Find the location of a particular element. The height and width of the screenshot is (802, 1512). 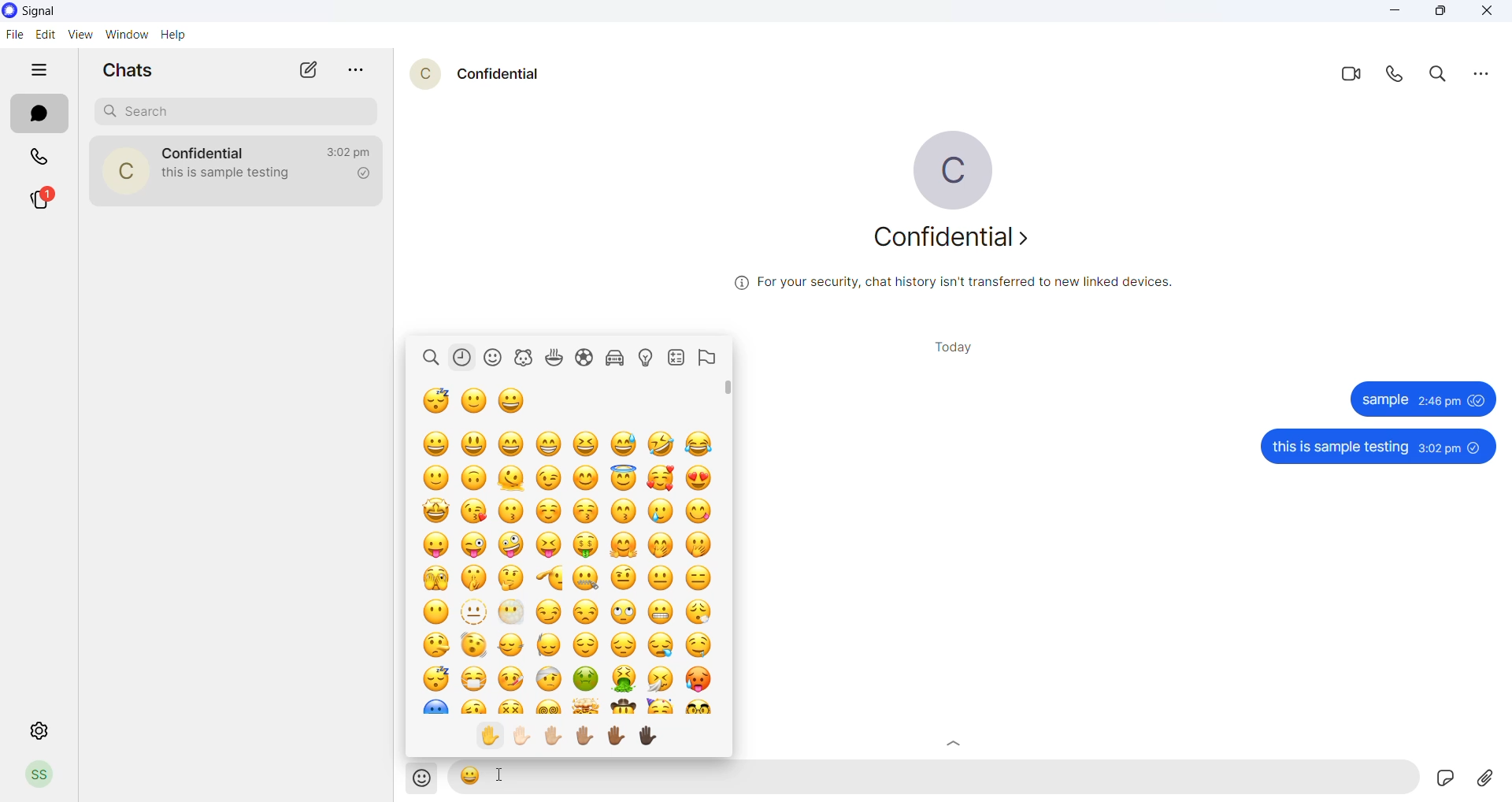

cursor is located at coordinates (508, 773).